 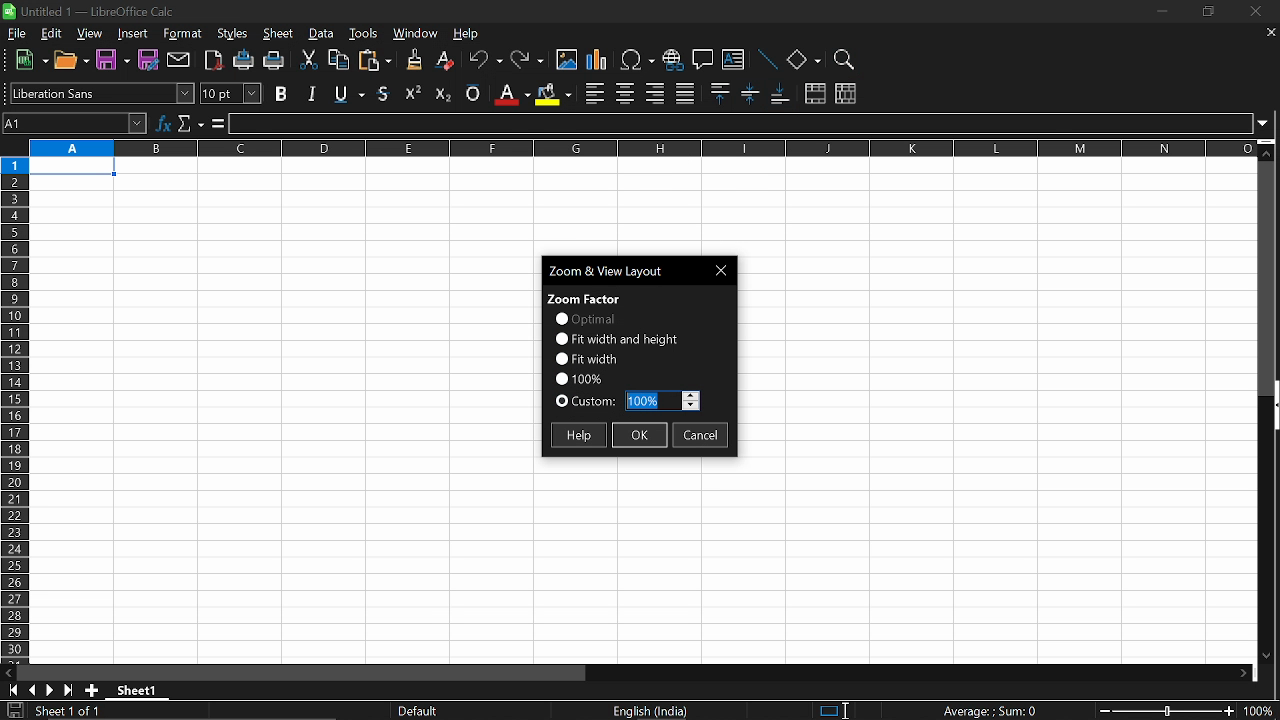 I want to click on function wizard, so click(x=165, y=121).